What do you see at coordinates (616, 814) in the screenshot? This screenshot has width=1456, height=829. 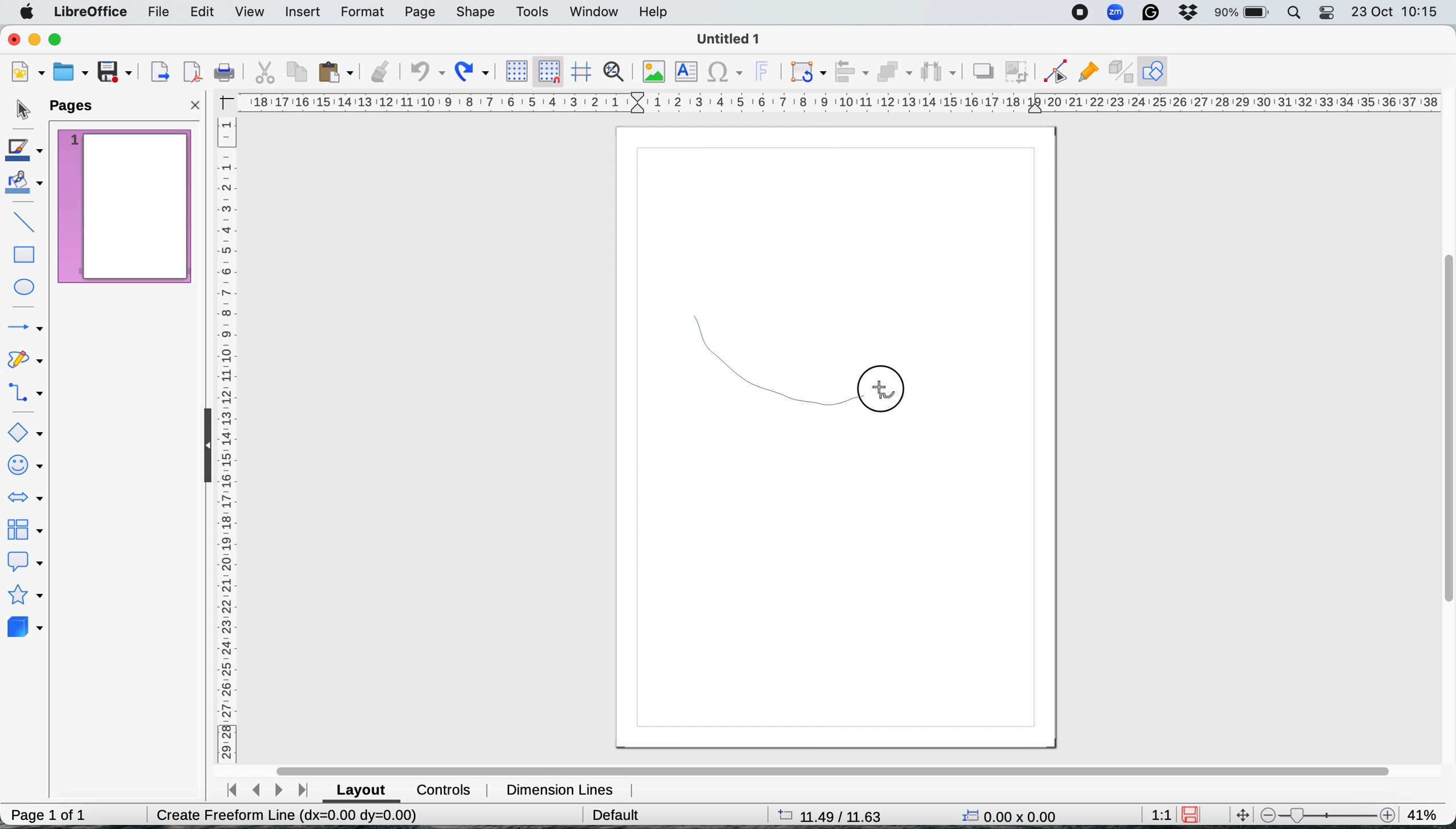 I see `default` at bounding box center [616, 814].